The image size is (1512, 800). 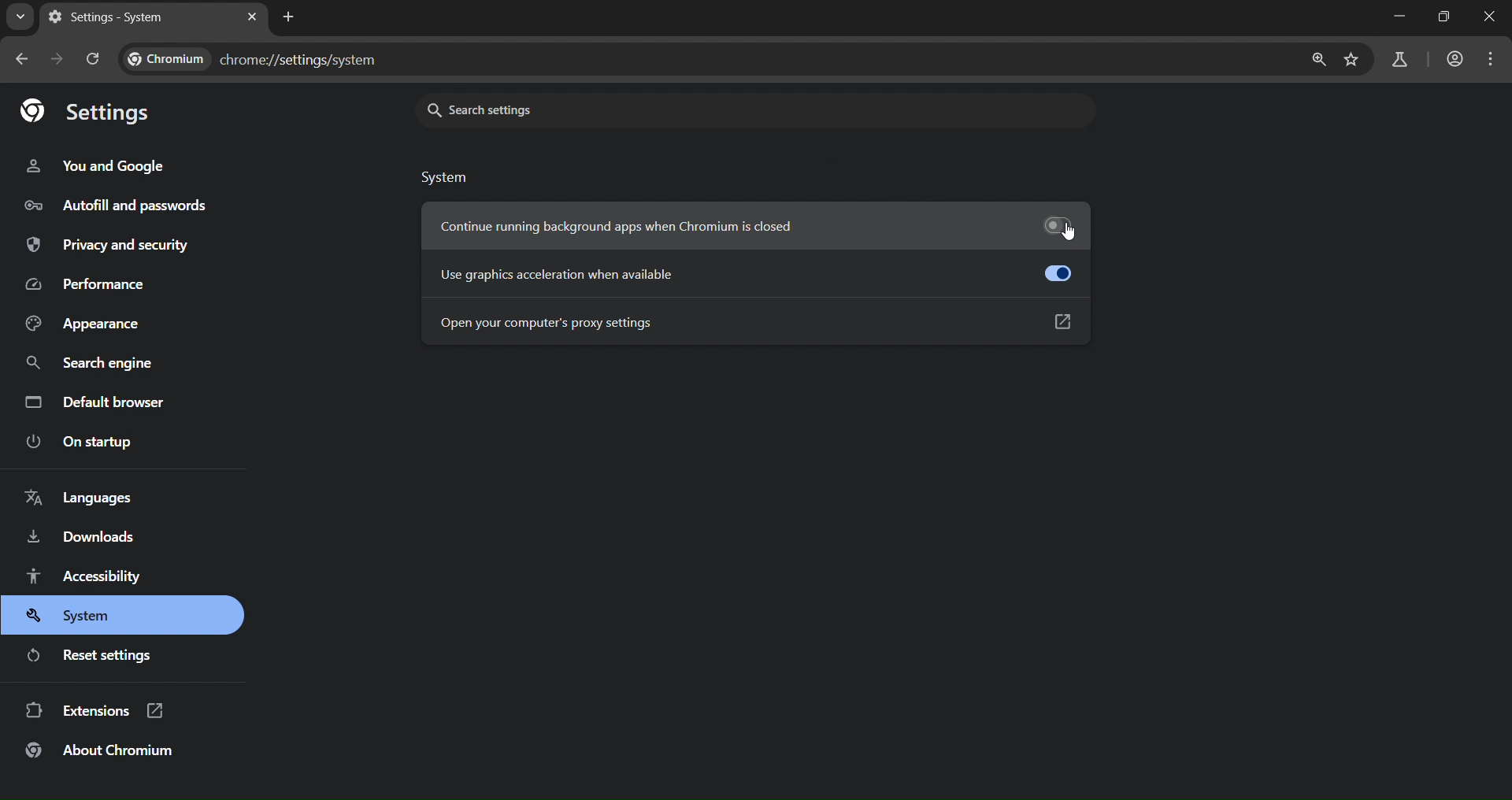 What do you see at coordinates (98, 59) in the screenshot?
I see `reload page` at bounding box center [98, 59].